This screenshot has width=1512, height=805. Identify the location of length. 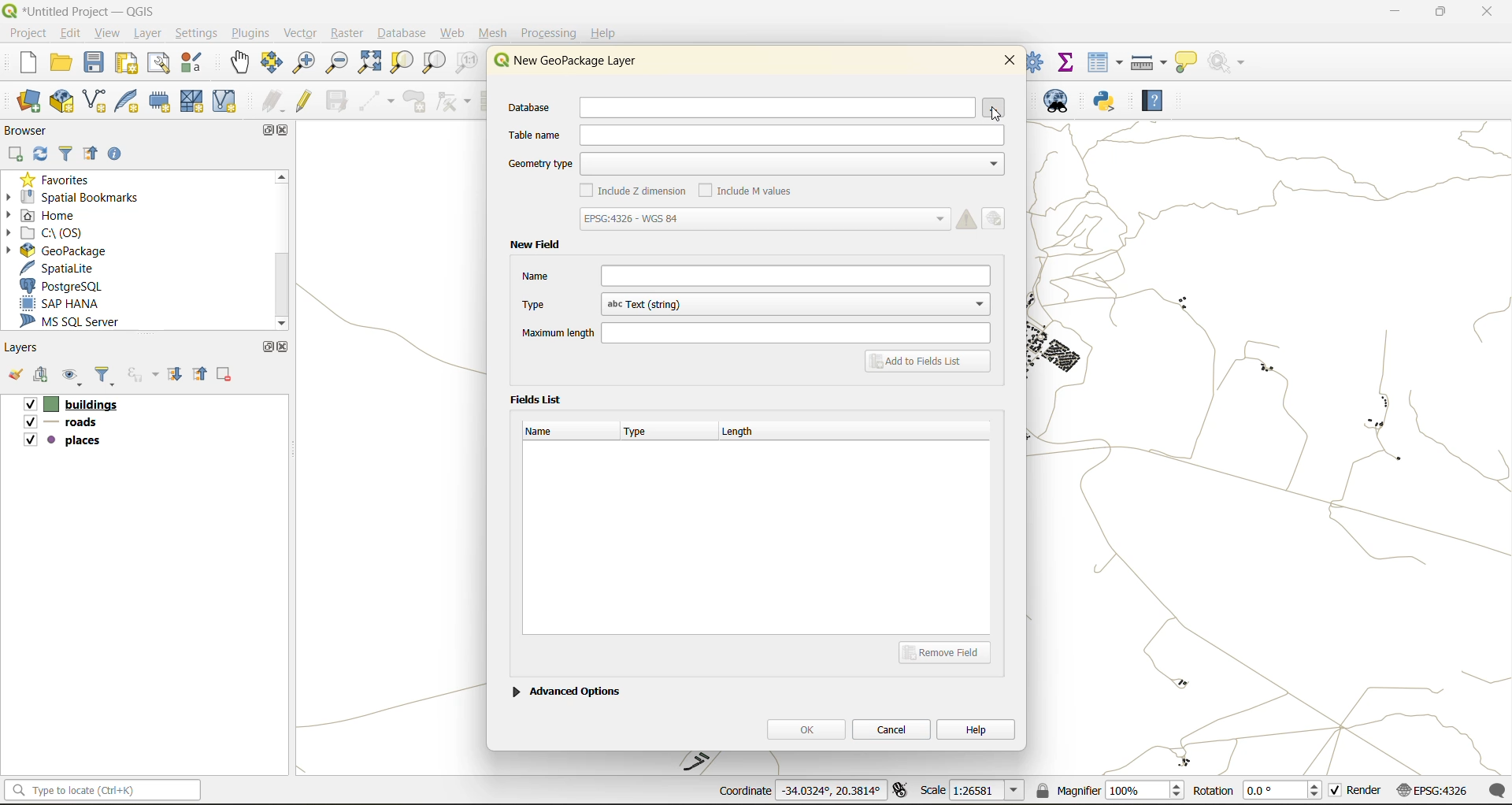
(746, 429).